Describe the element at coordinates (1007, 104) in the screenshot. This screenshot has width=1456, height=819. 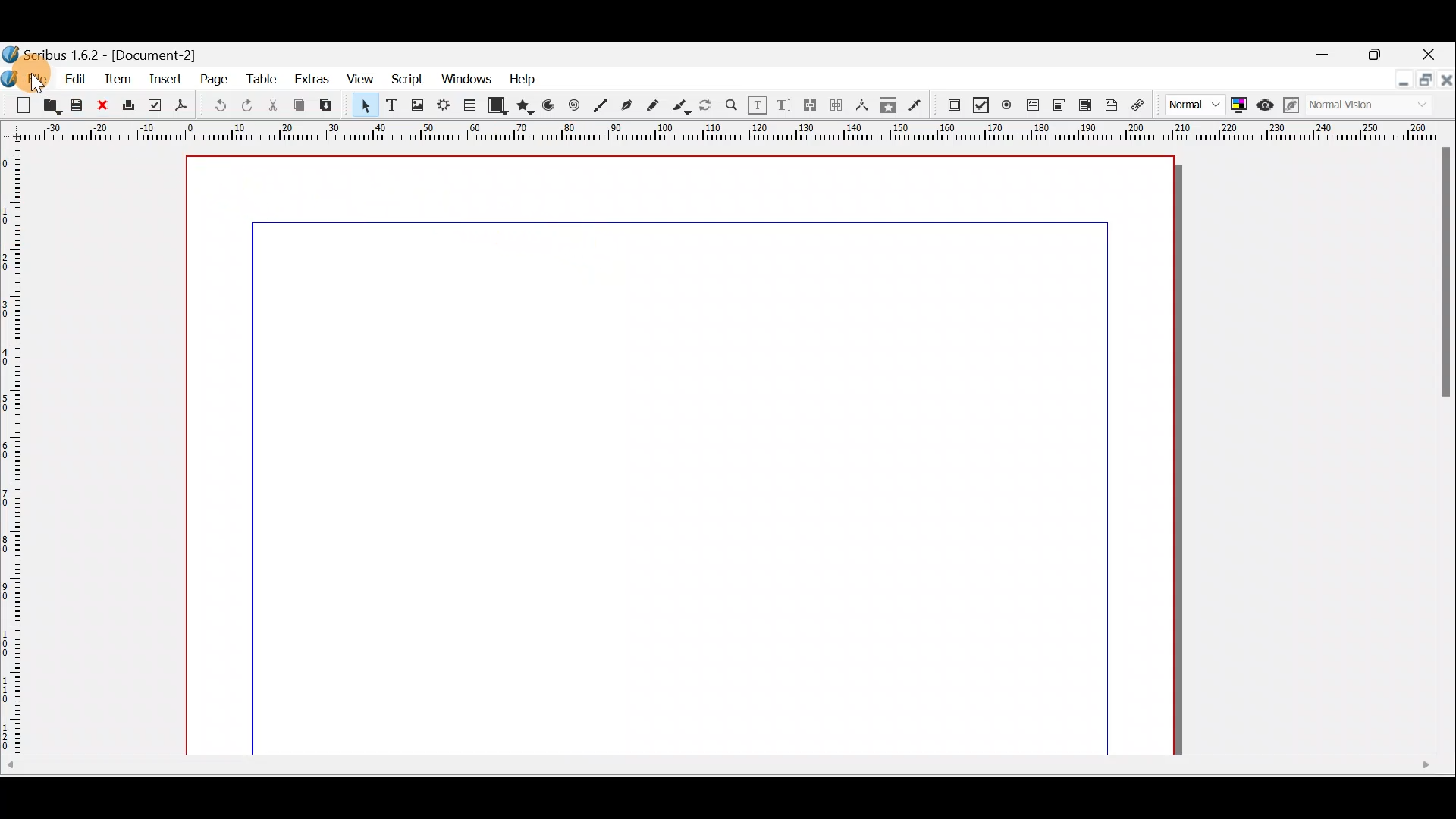
I see `PDF radio button` at that location.